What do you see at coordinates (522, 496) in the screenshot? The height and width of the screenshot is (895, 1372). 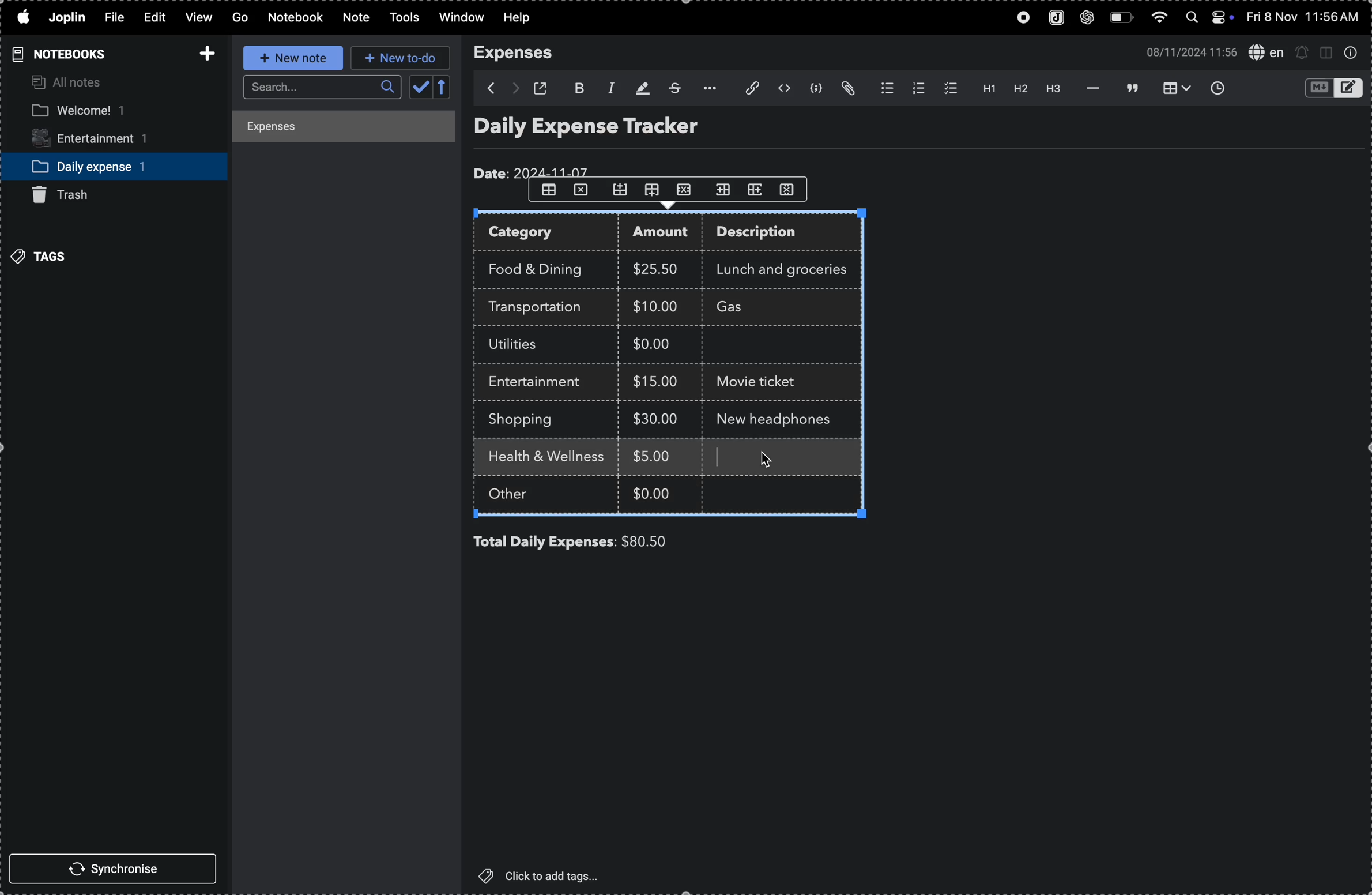 I see `other` at bounding box center [522, 496].